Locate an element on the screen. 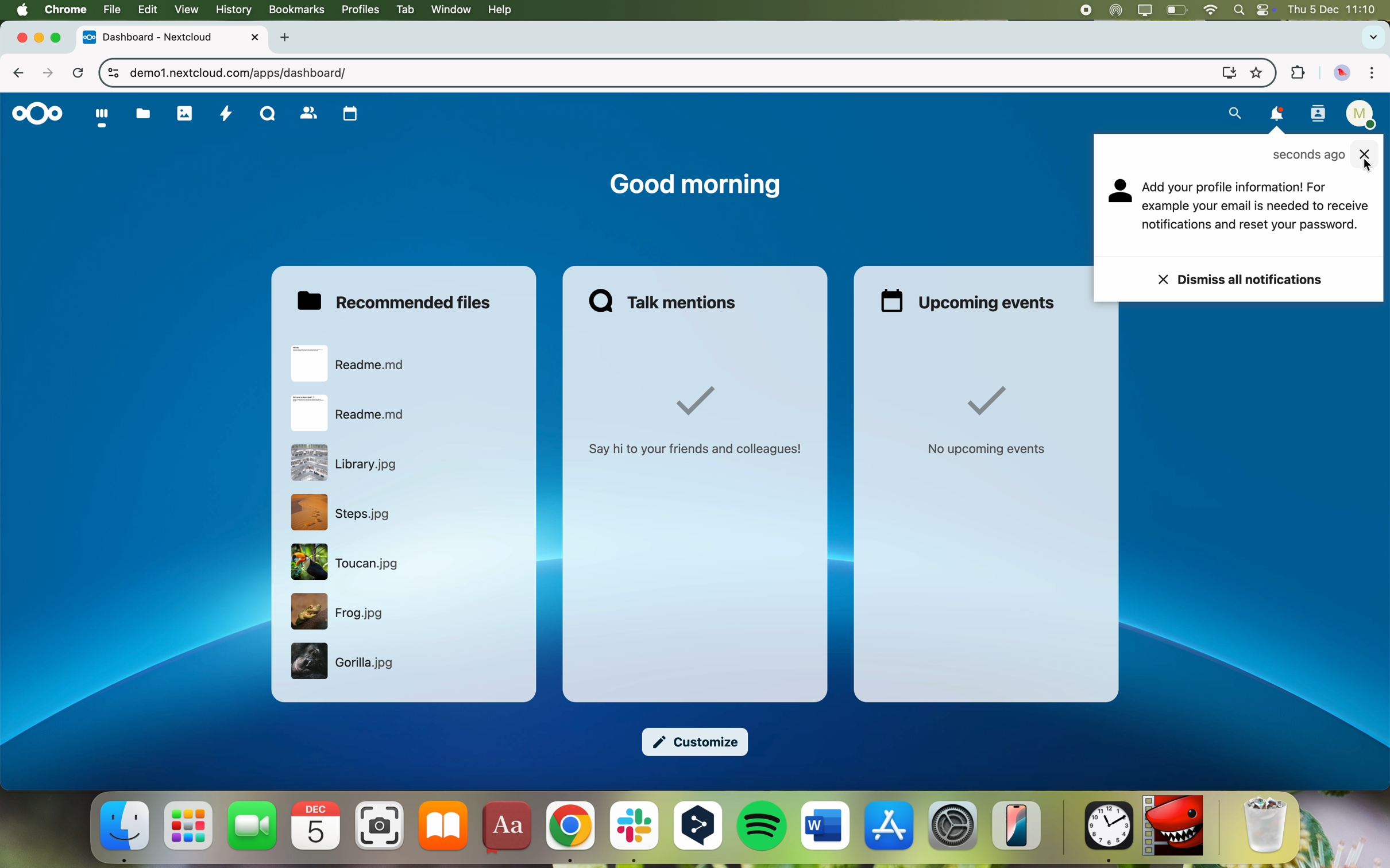 The width and height of the screenshot is (1390, 868). URL is located at coordinates (240, 72).